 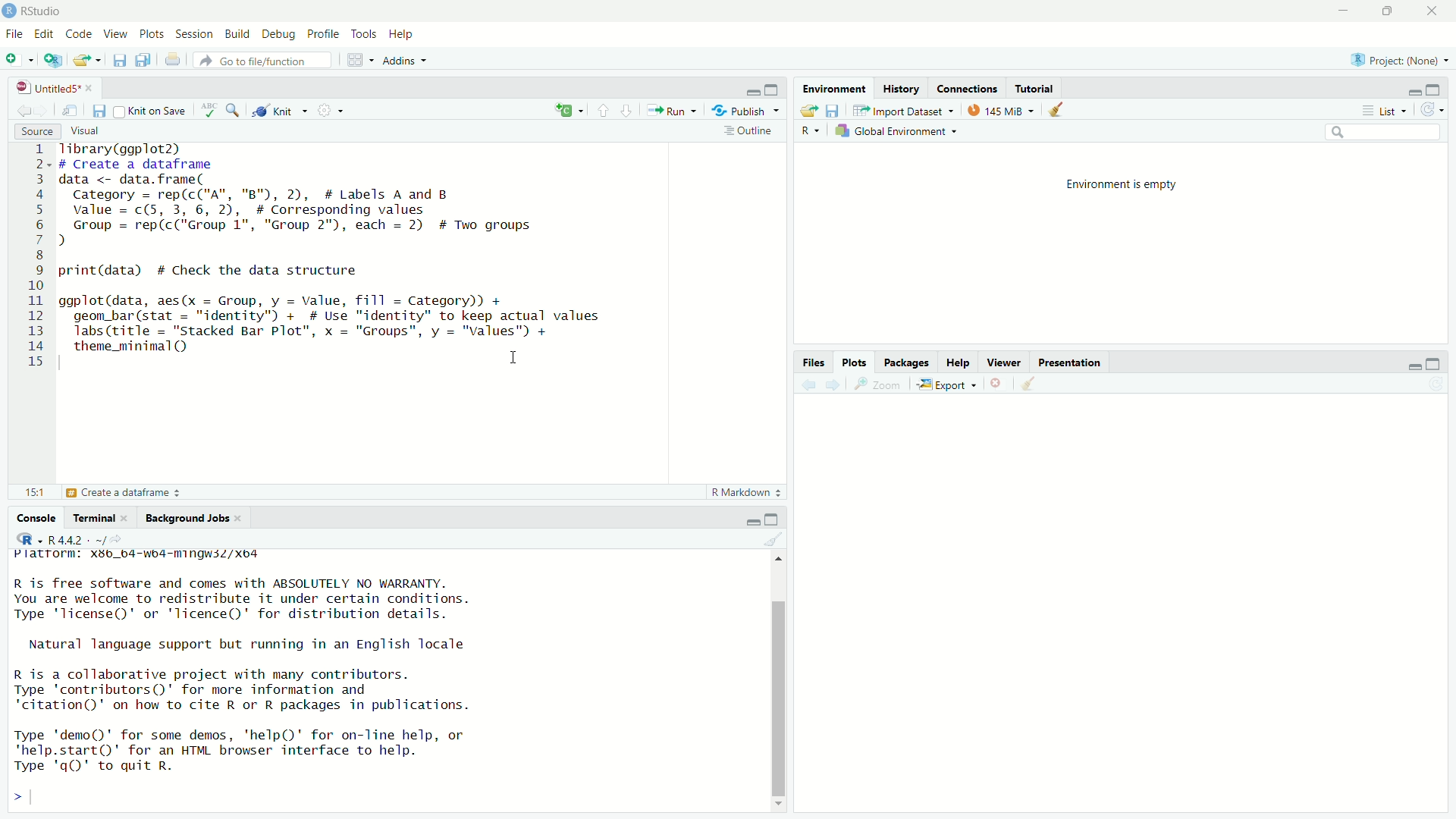 What do you see at coordinates (365, 33) in the screenshot?
I see `Tools` at bounding box center [365, 33].